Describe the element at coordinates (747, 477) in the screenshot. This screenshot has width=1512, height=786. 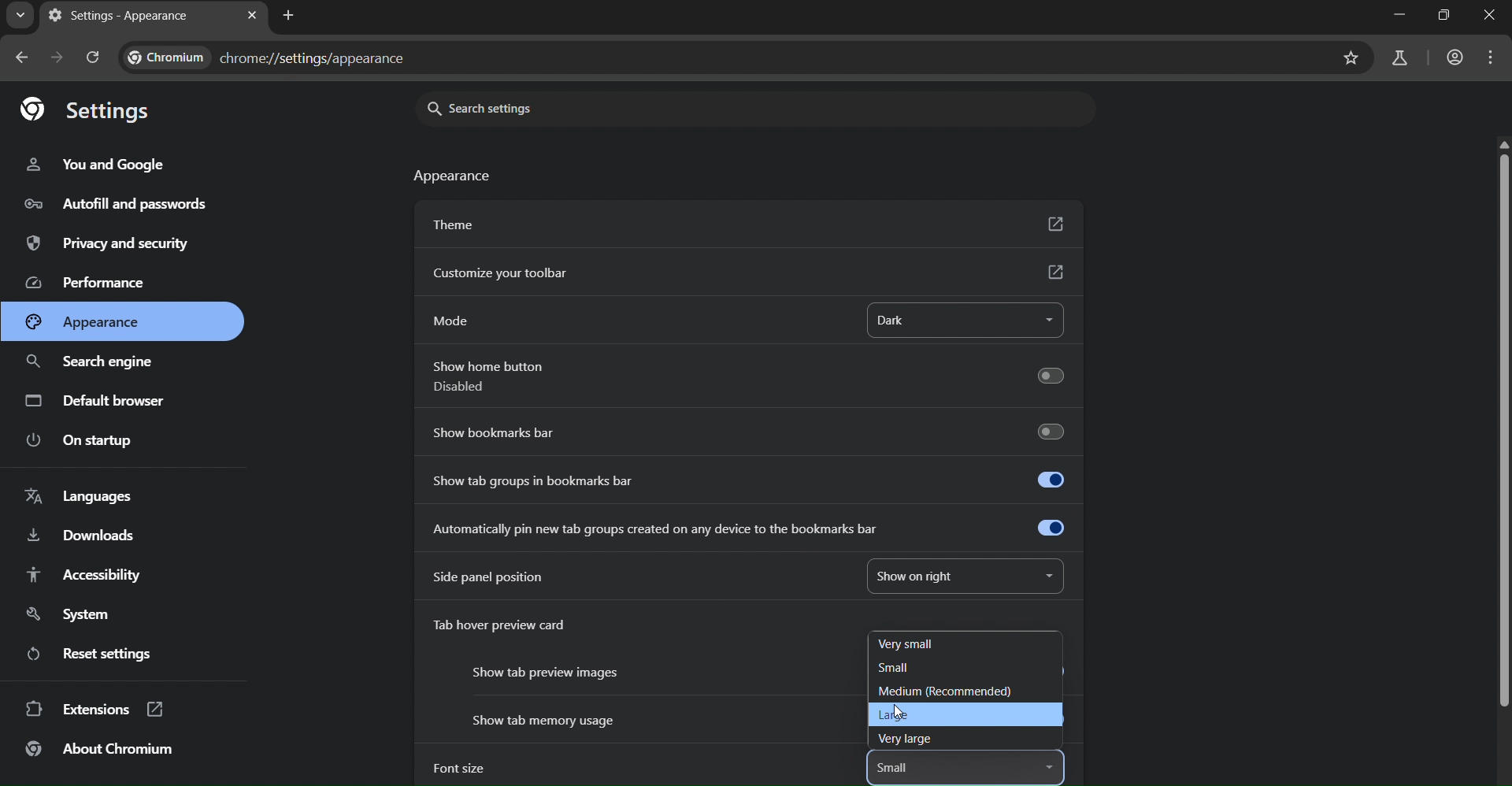
I see `show tab groups in bookmarks bar` at that location.